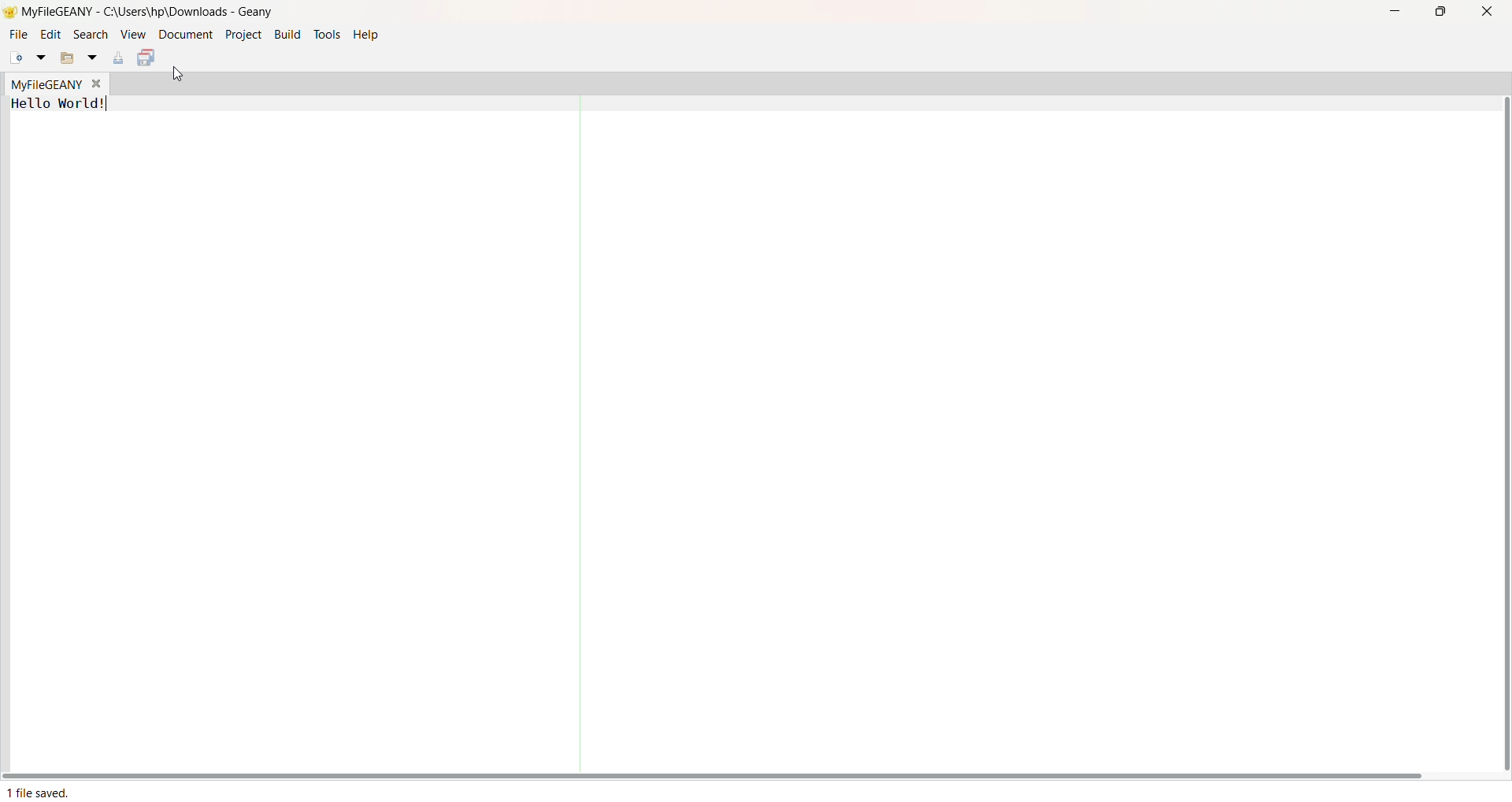  What do you see at coordinates (43, 83) in the screenshot?
I see `MyFileGeqny` at bounding box center [43, 83].